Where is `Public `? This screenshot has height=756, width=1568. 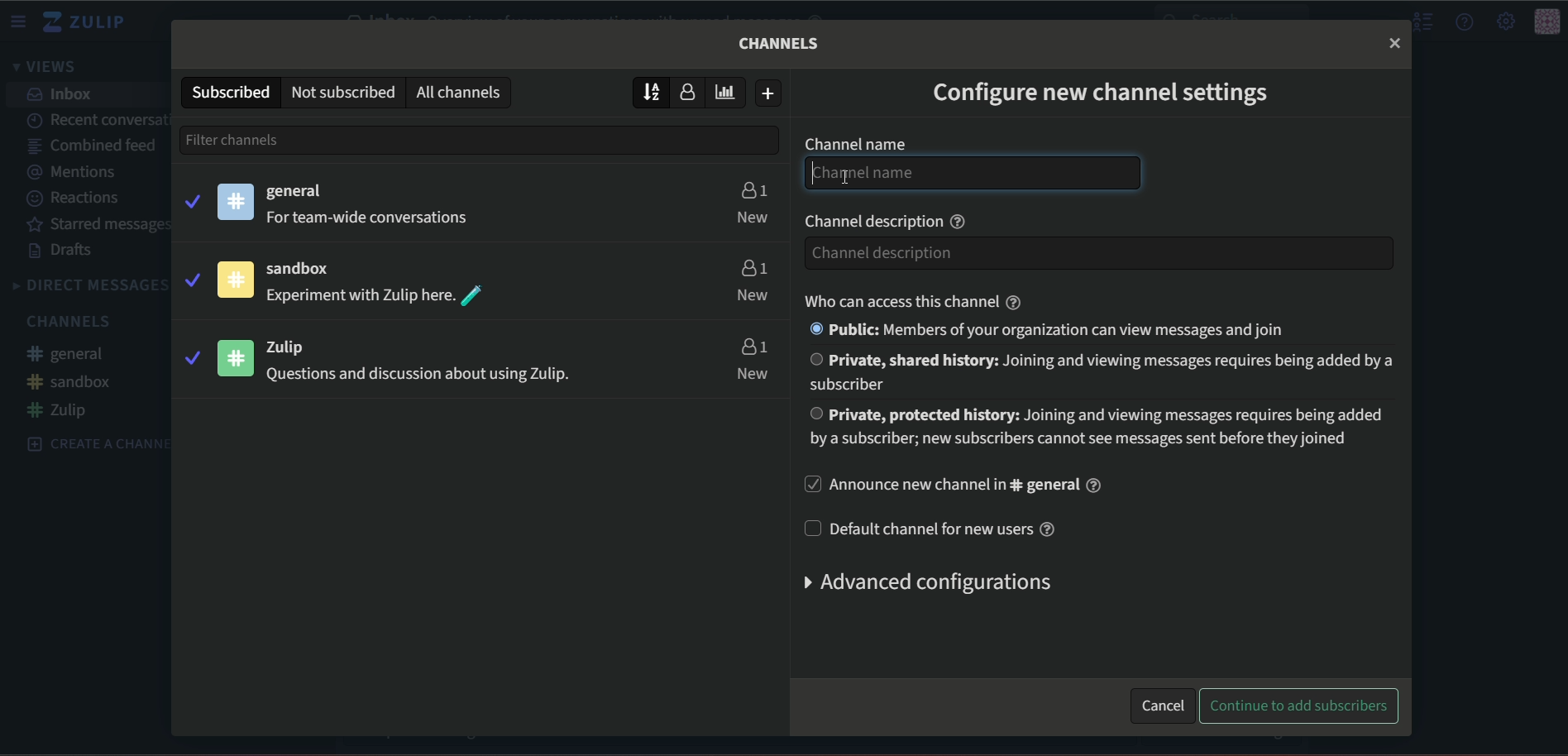
Public  is located at coordinates (1059, 329).